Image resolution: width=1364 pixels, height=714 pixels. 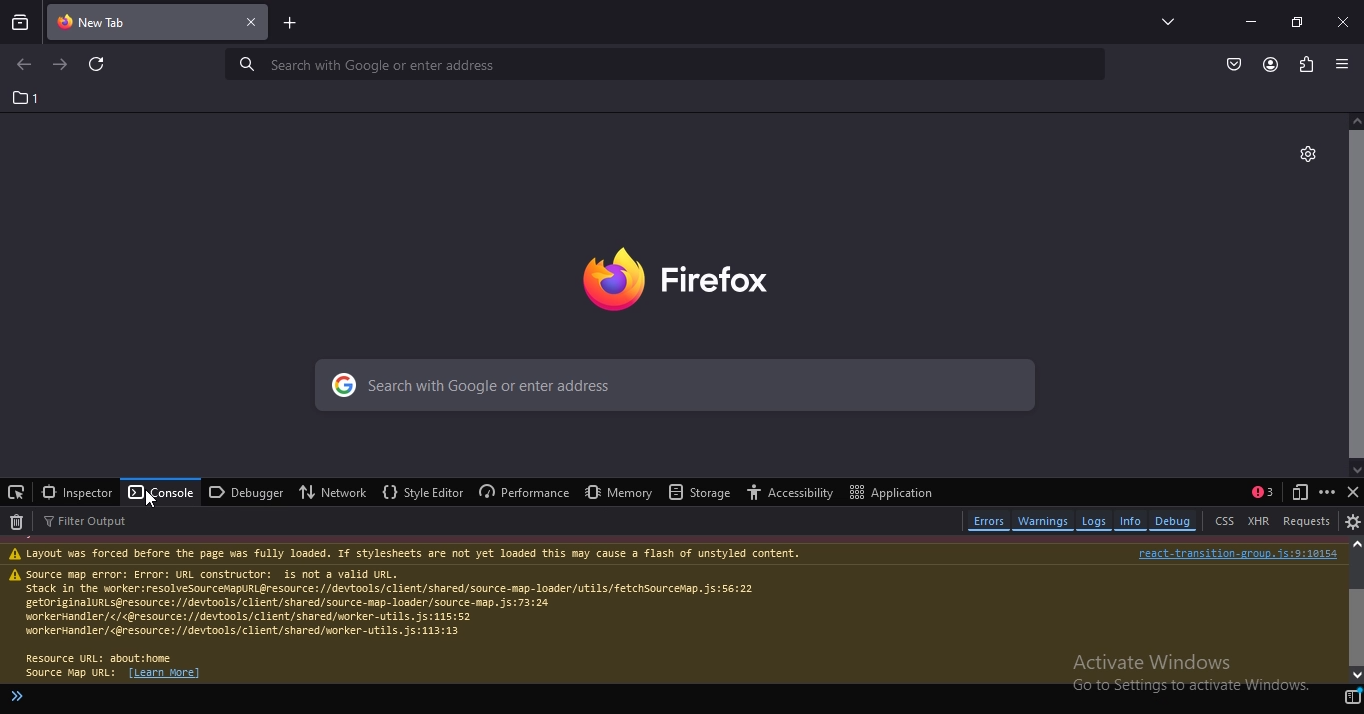 What do you see at coordinates (696, 280) in the screenshot?
I see `image` at bounding box center [696, 280].